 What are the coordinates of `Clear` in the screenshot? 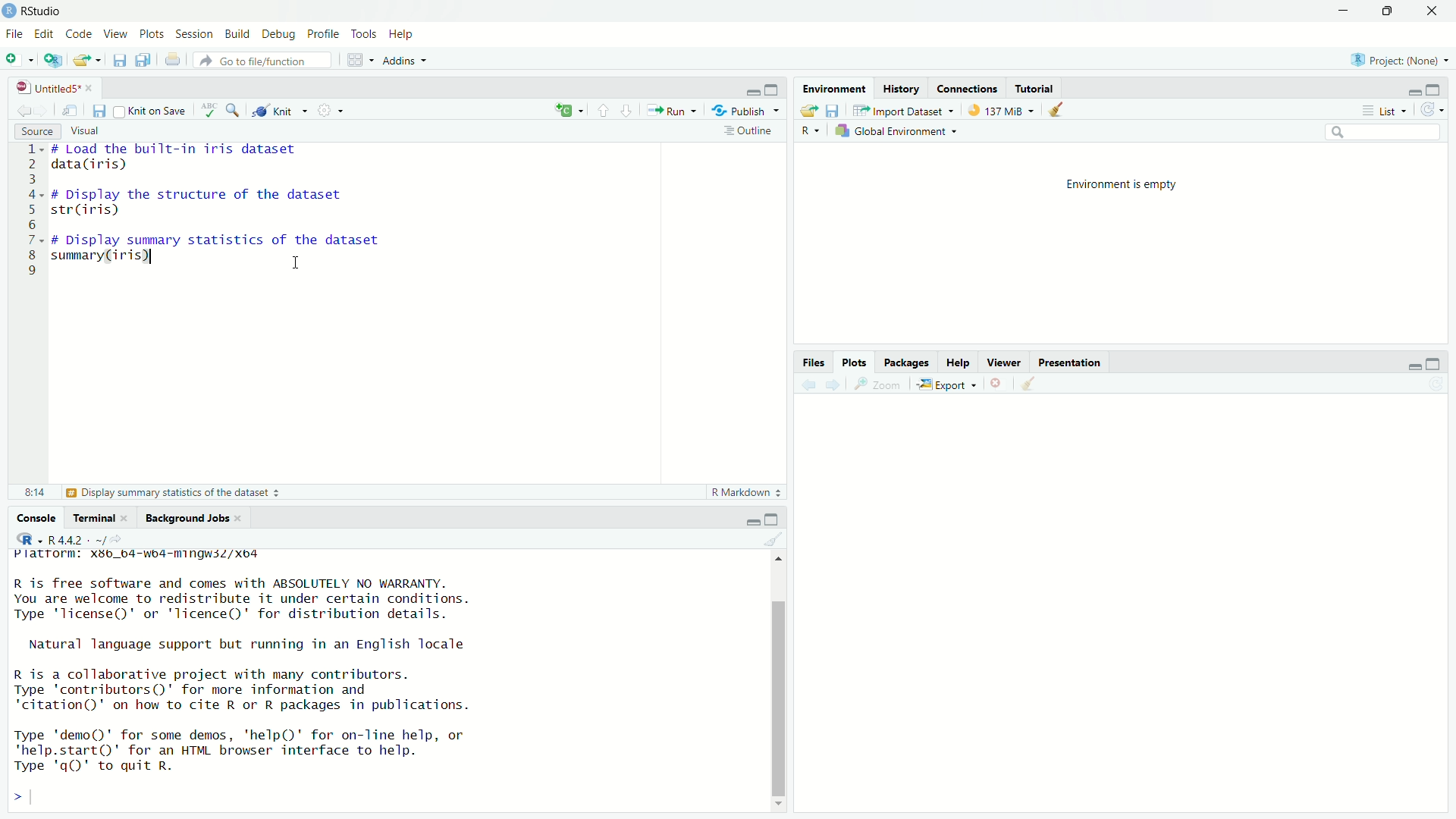 It's located at (1031, 383).